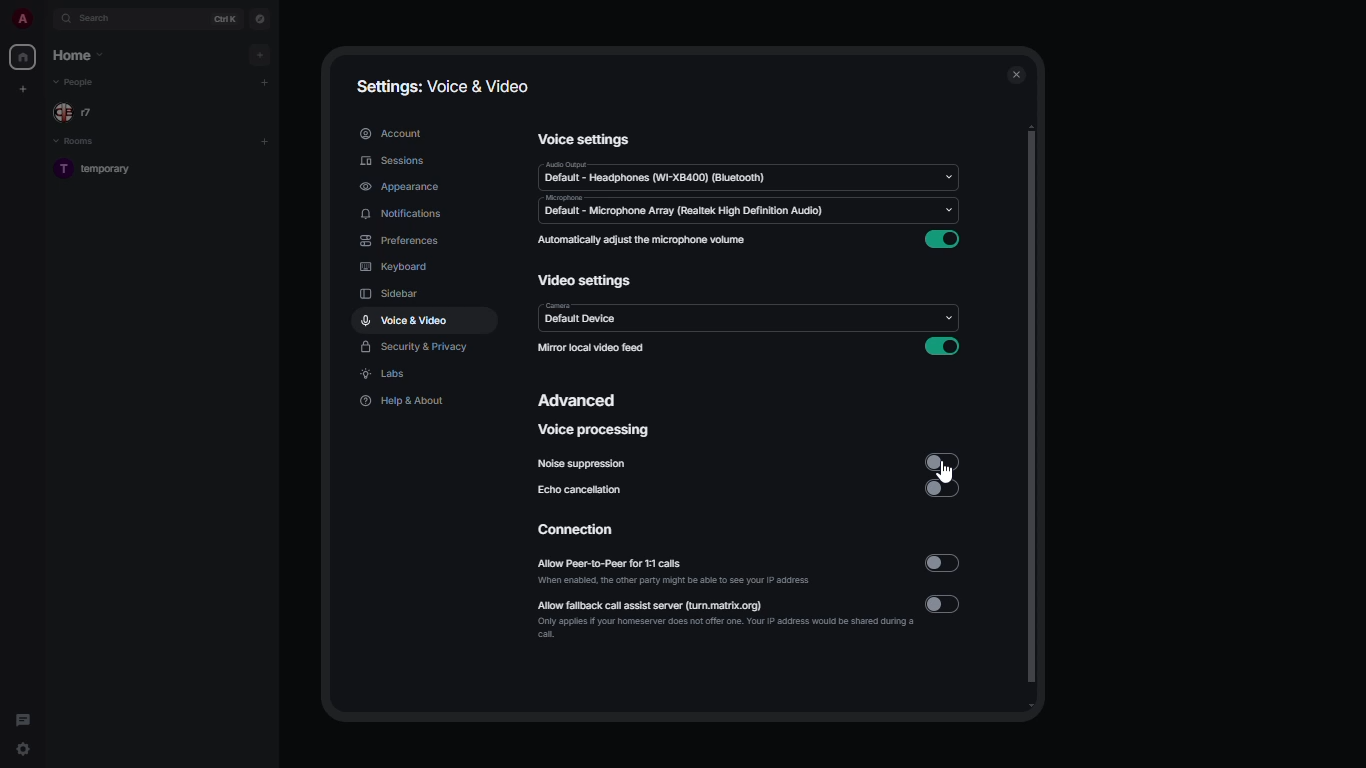  Describe the element at coordinates (398, 188) in the screenshot. I see `appearance` at that location.